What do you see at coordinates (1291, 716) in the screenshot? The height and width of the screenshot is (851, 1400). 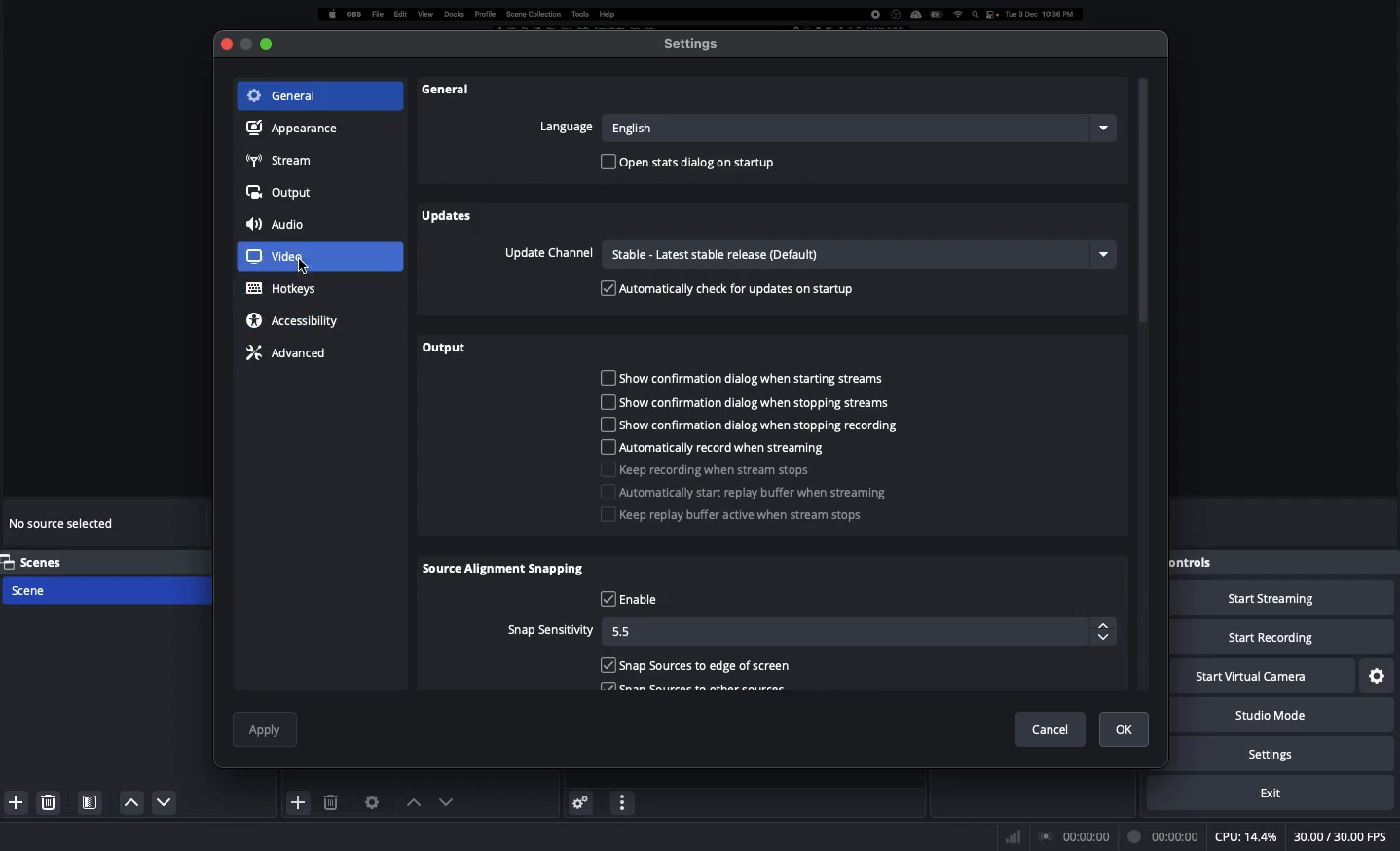 I see `Studio mode` at bounding box center [1291, 716].